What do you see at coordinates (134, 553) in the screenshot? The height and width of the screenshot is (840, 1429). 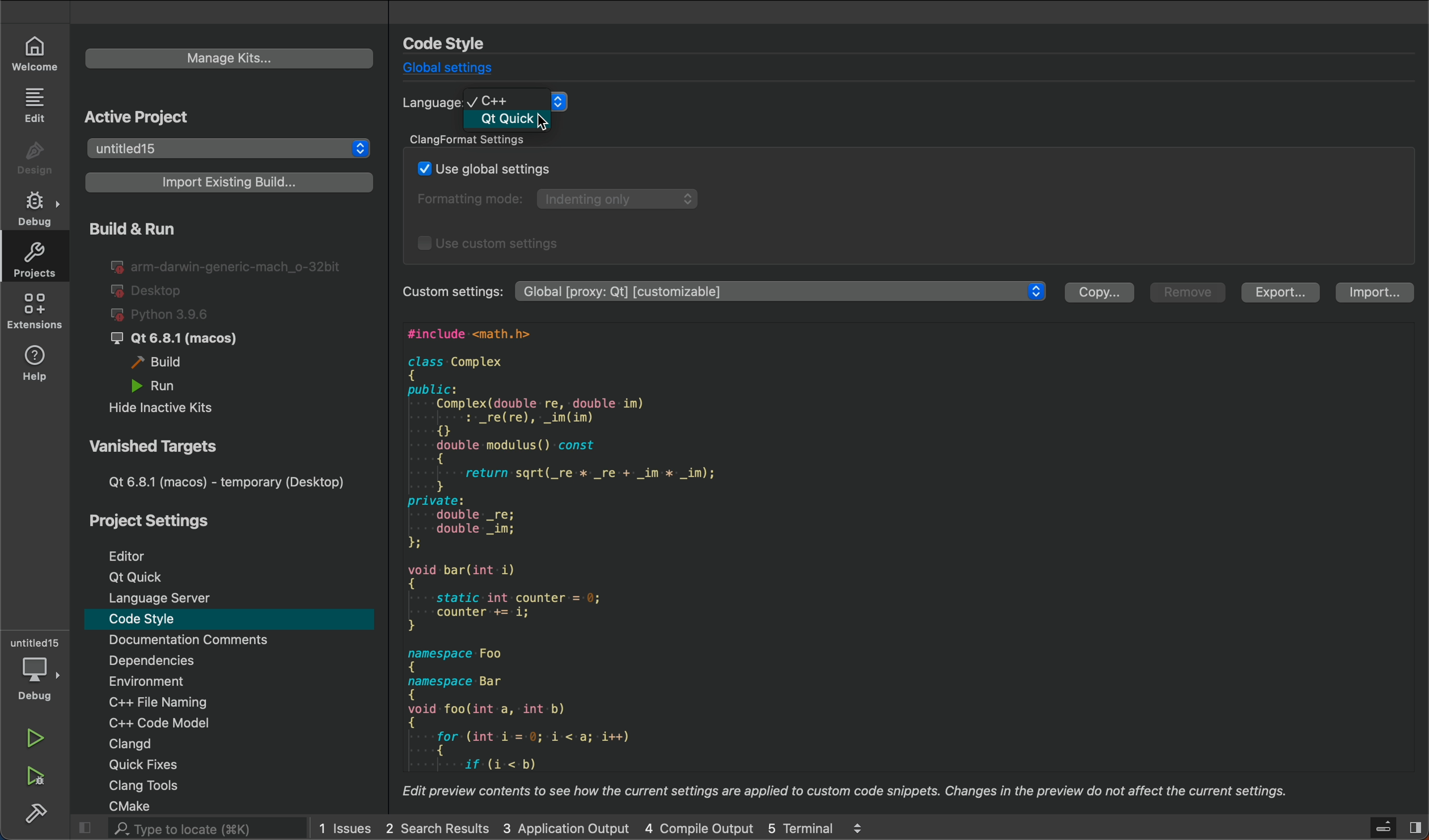 I see `editor` at bounding box center [134, 553].